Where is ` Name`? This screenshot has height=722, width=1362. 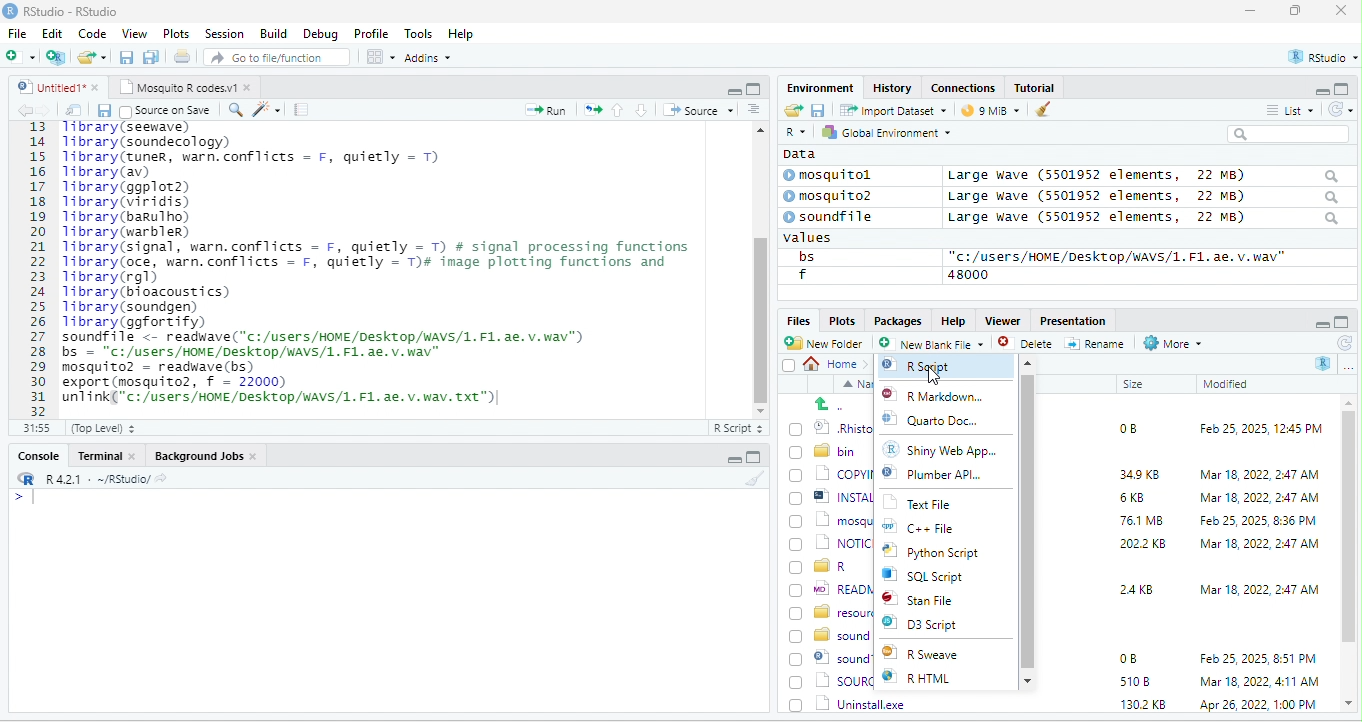  Name is located at coordinates (854, 385).